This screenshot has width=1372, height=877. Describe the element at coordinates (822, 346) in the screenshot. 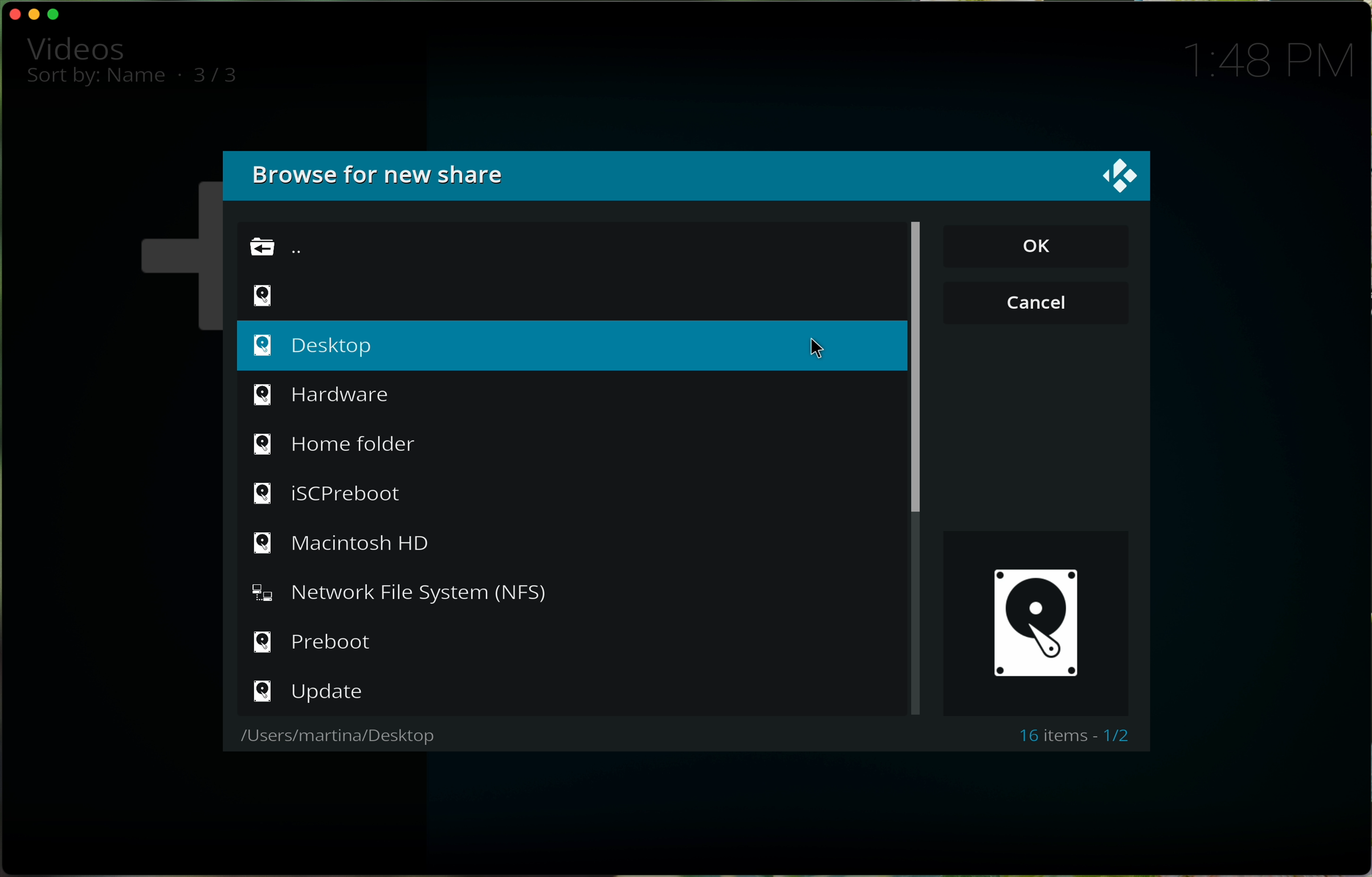

I see `cursor` at that location.